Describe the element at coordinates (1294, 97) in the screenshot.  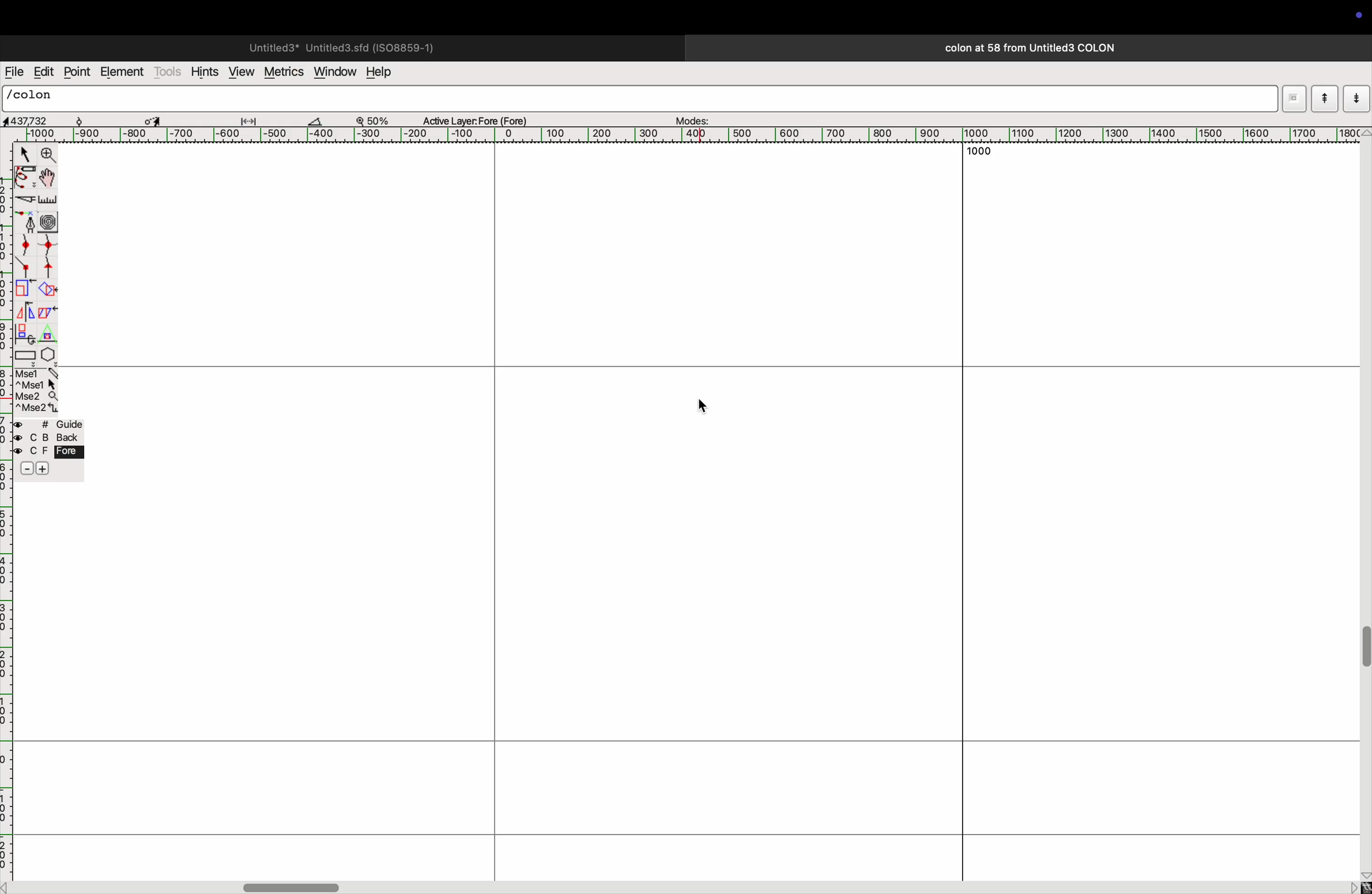
I see `Mode` at that location.